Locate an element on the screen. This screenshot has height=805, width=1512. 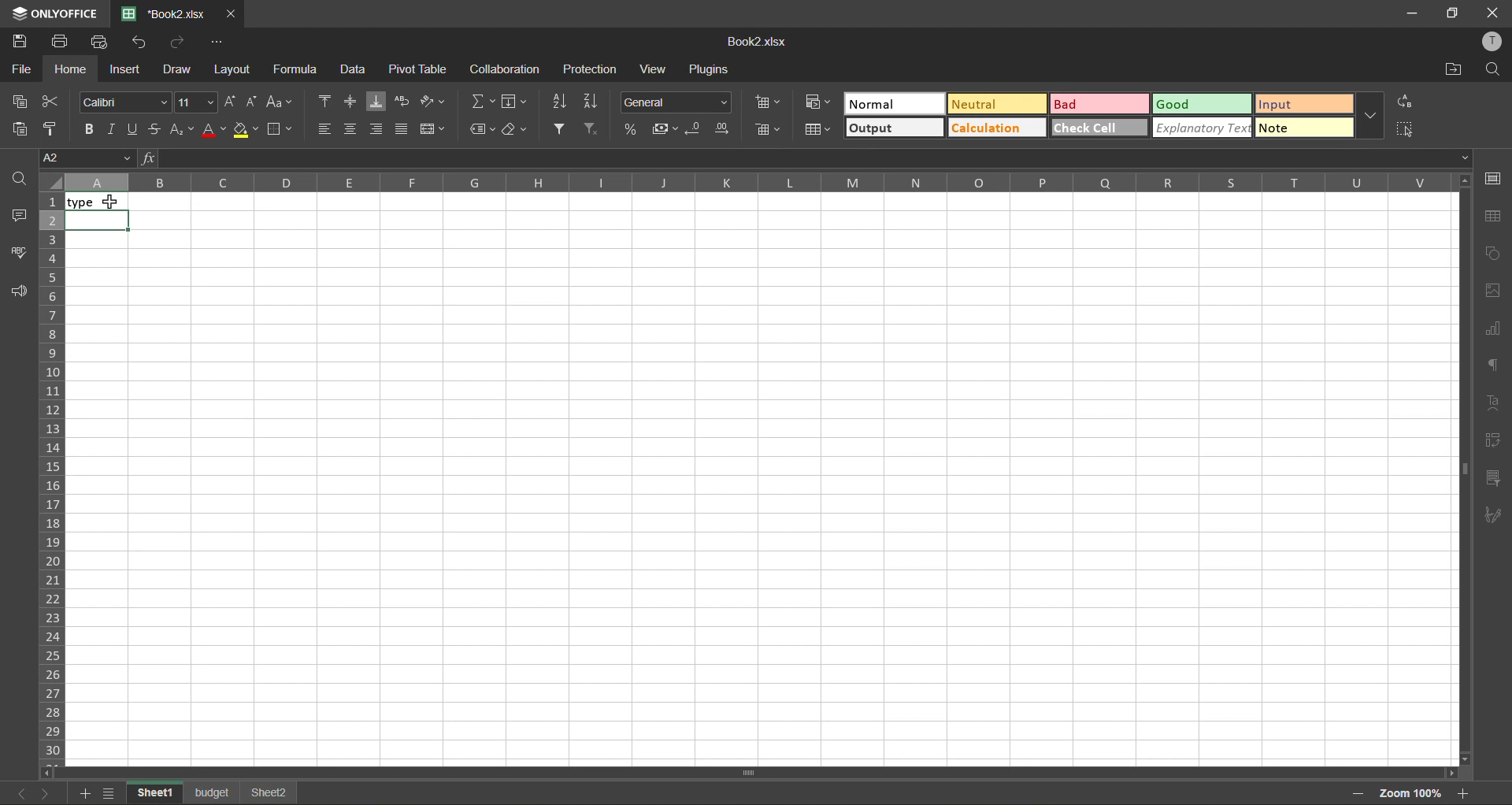
strikethrough is located at coordinates (156, 127).